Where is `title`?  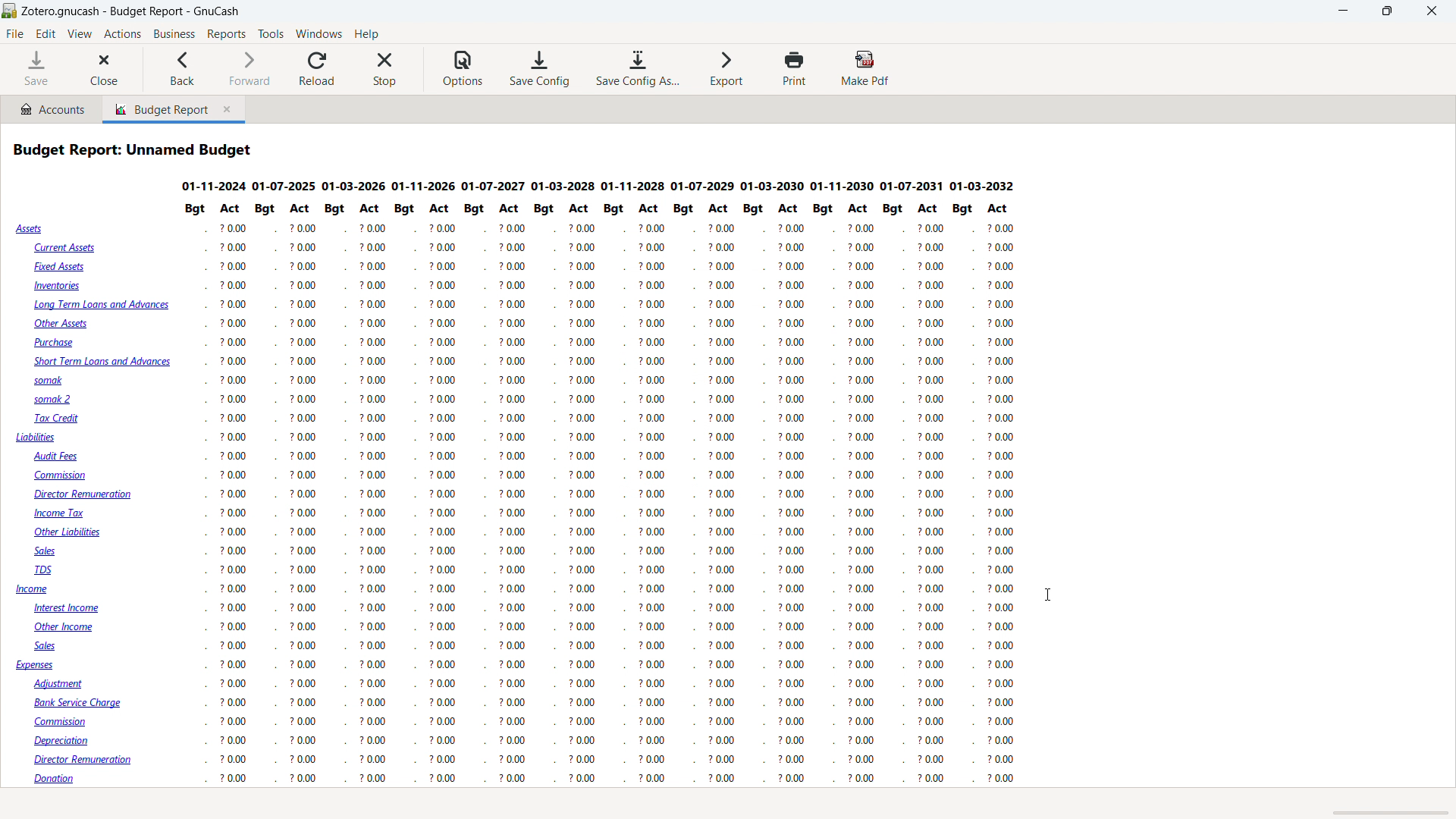
title is located at coordinates (132, 11).